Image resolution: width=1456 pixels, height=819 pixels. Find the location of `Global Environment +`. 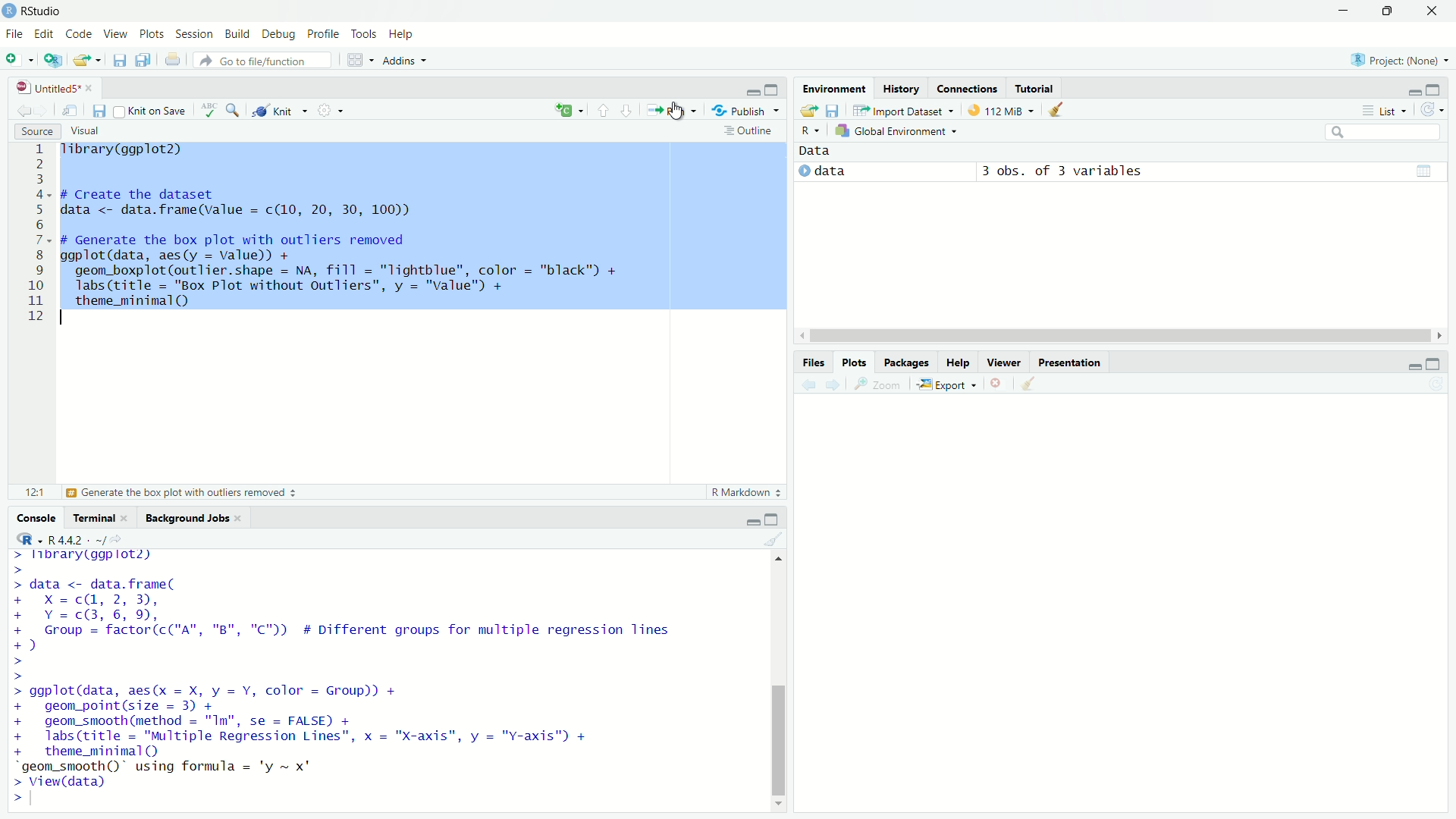

Global Environment + is located at coordinates (899, 132).